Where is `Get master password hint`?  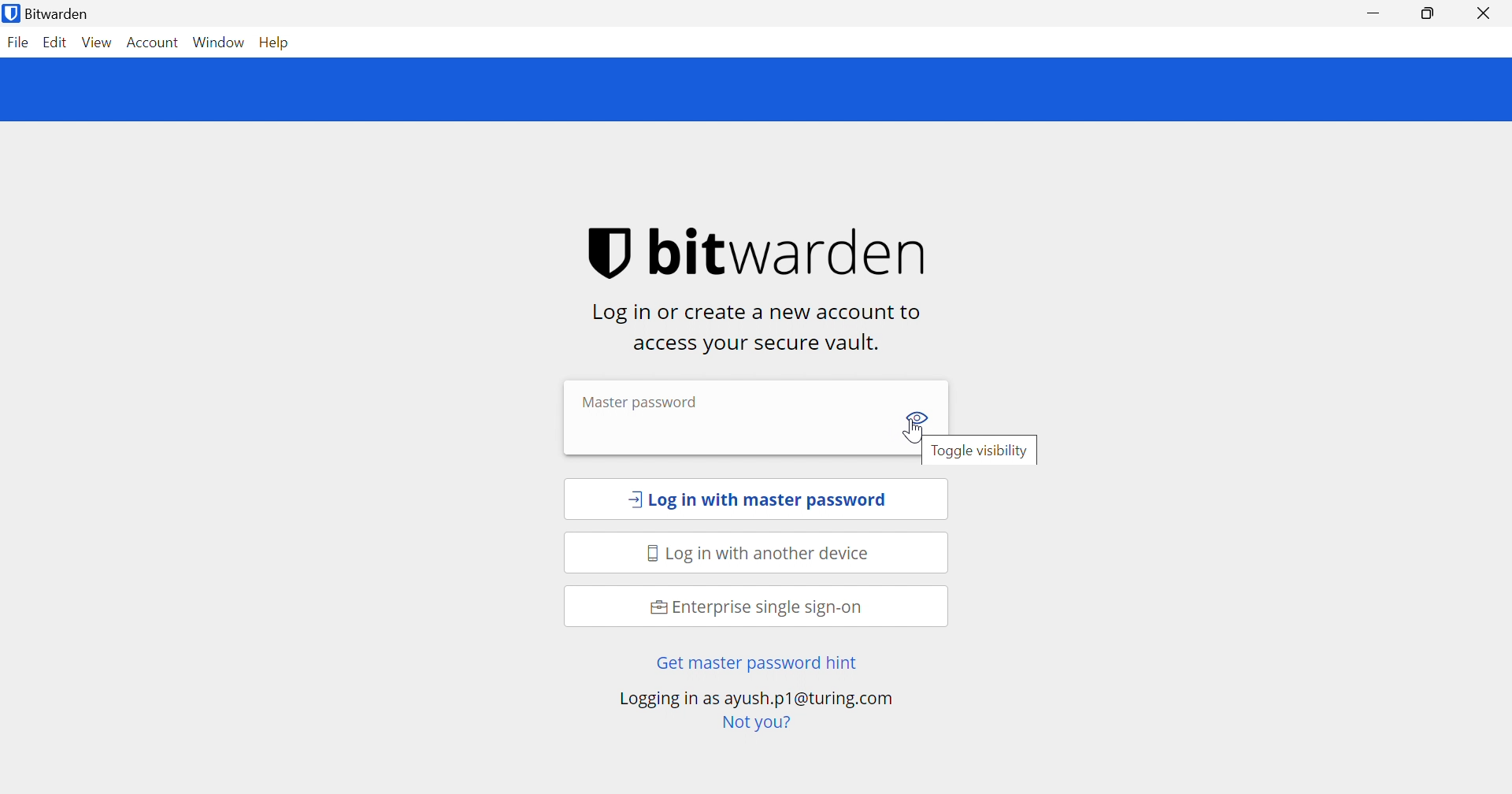 Get master password hint is located at coordinates (754, 664).